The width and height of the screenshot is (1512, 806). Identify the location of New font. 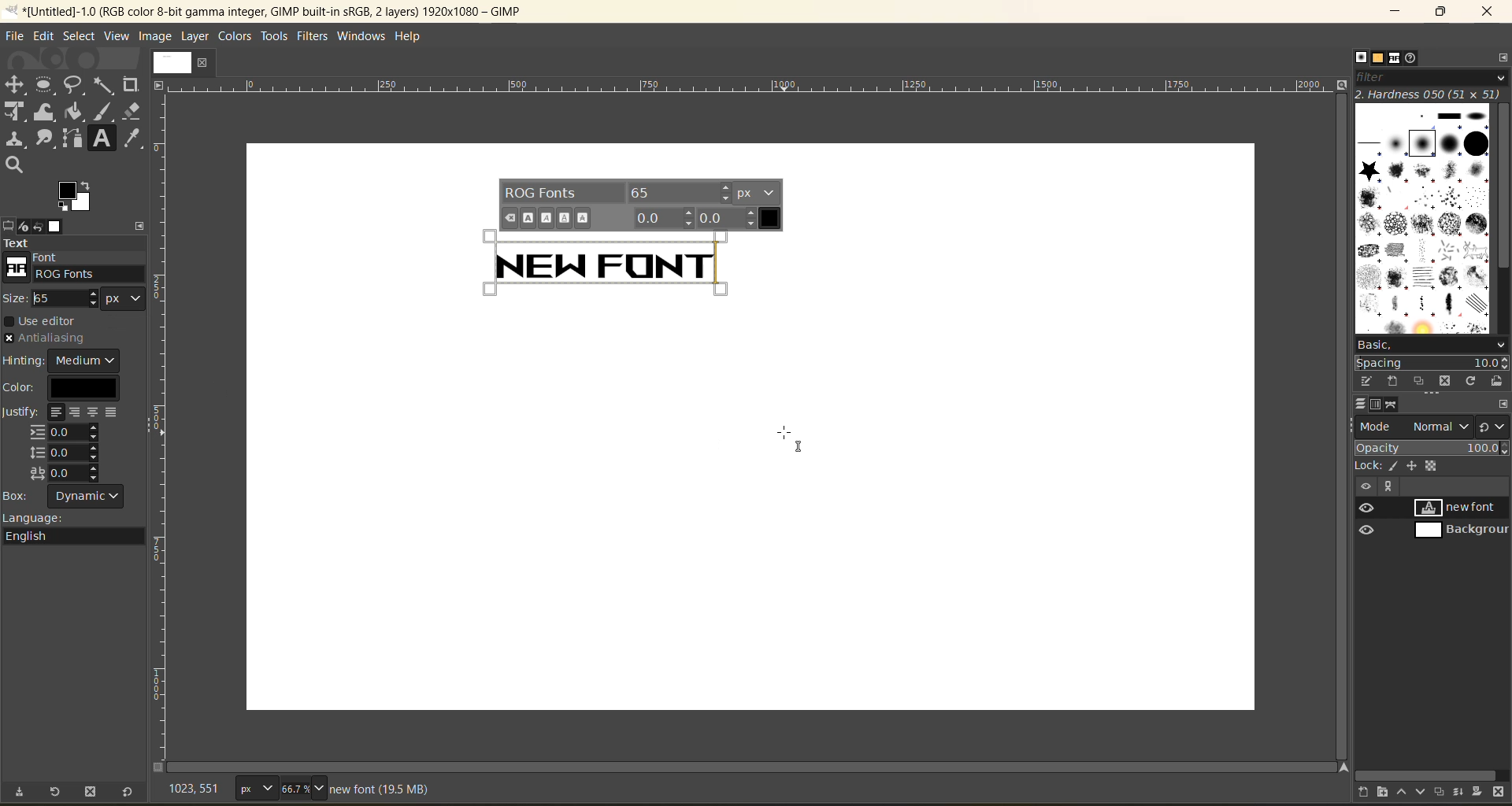
(609, 261).